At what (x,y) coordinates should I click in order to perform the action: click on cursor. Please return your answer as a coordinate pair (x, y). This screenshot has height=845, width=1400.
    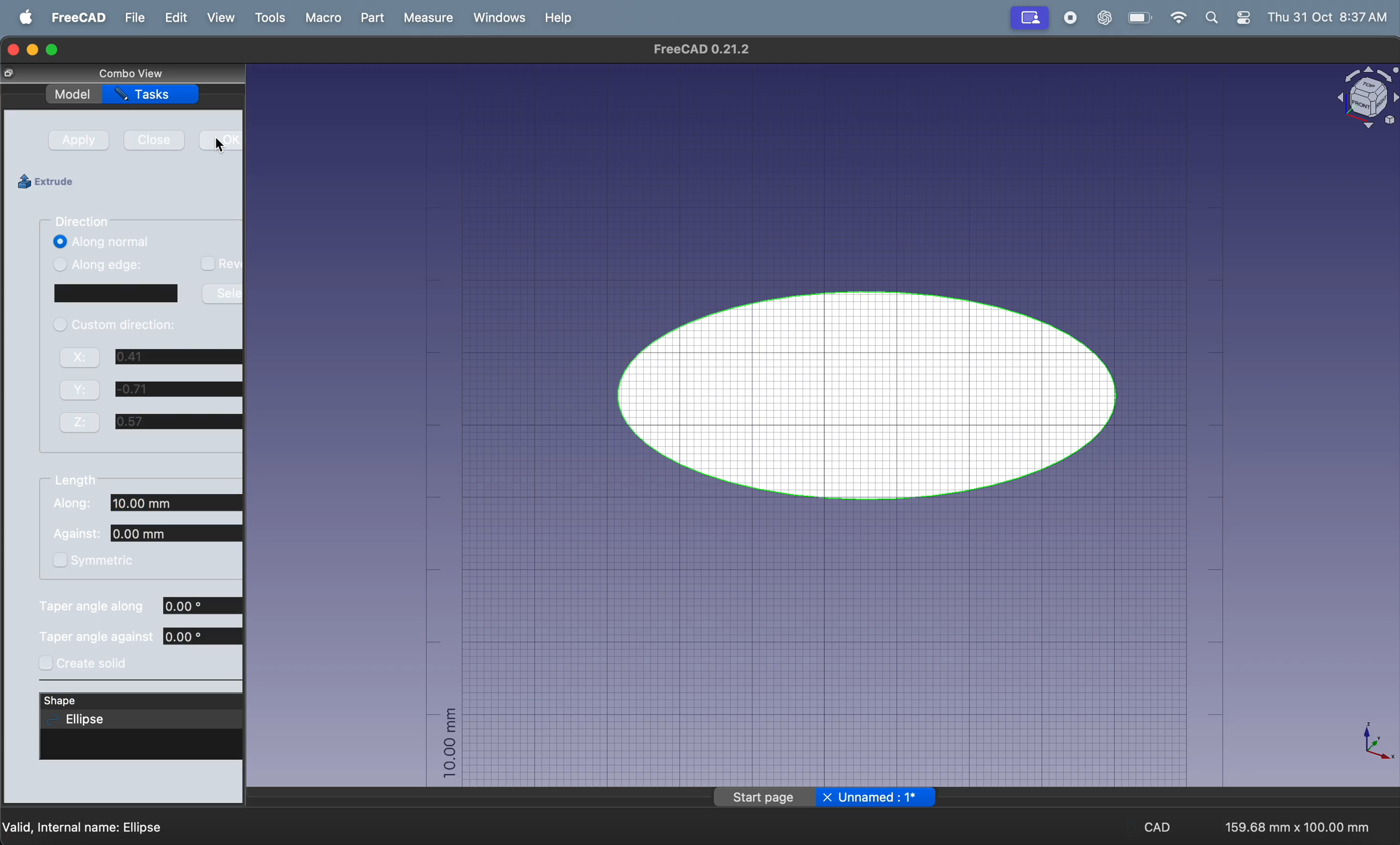
    Looking at the image, I should click on (222, 144).